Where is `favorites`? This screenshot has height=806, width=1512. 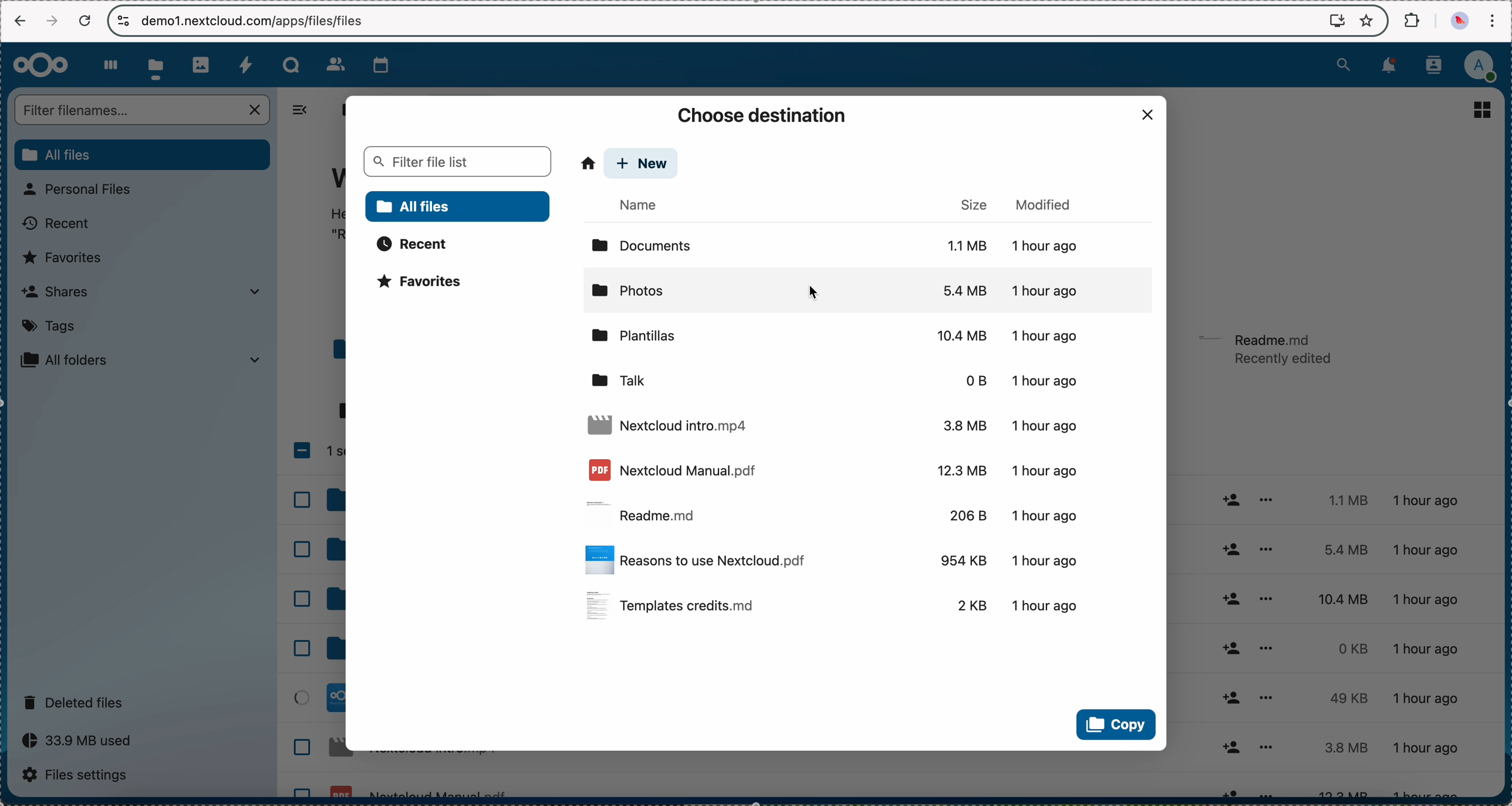
favorites is located at coordinates (67, 258).